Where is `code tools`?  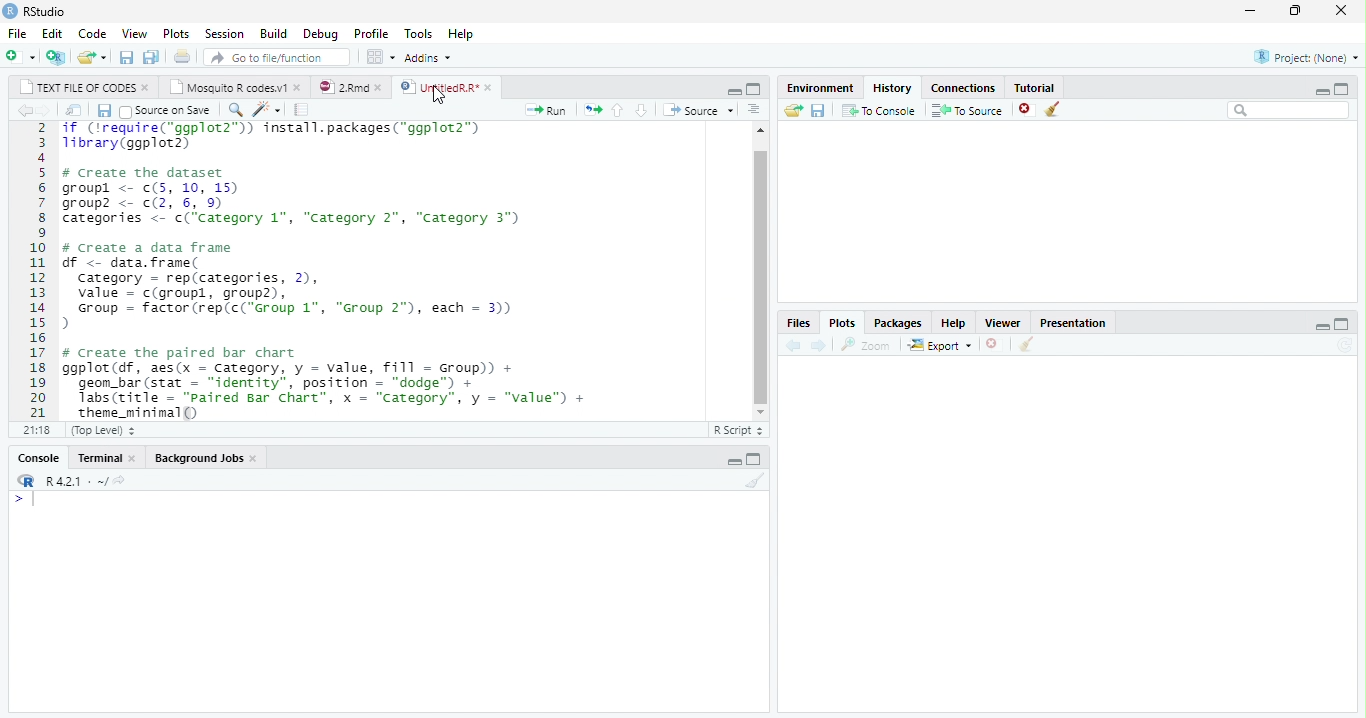 code tools is located at coordinates (266, 110).